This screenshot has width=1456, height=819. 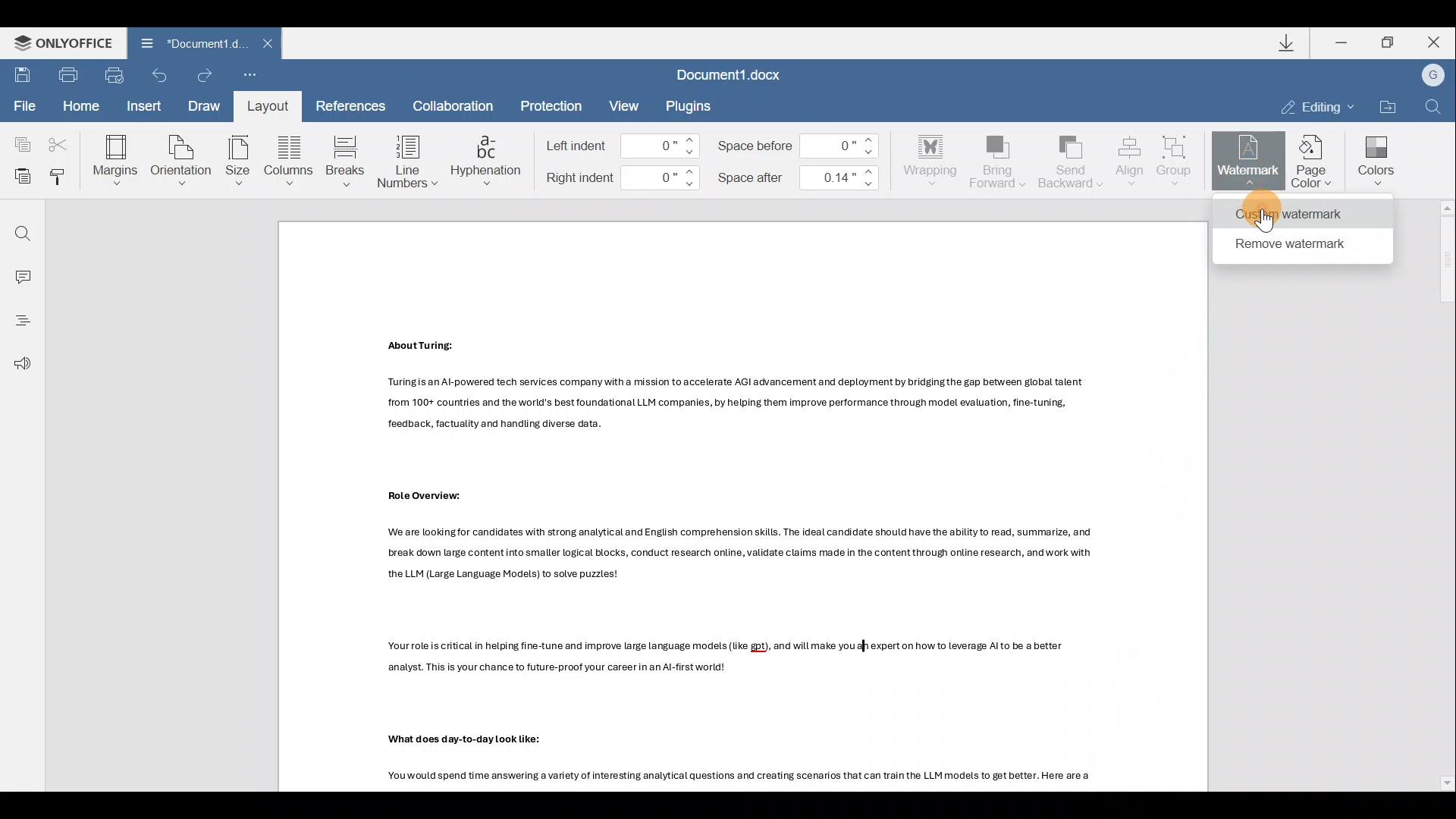 I want to click on , so click(x=414, y=494).